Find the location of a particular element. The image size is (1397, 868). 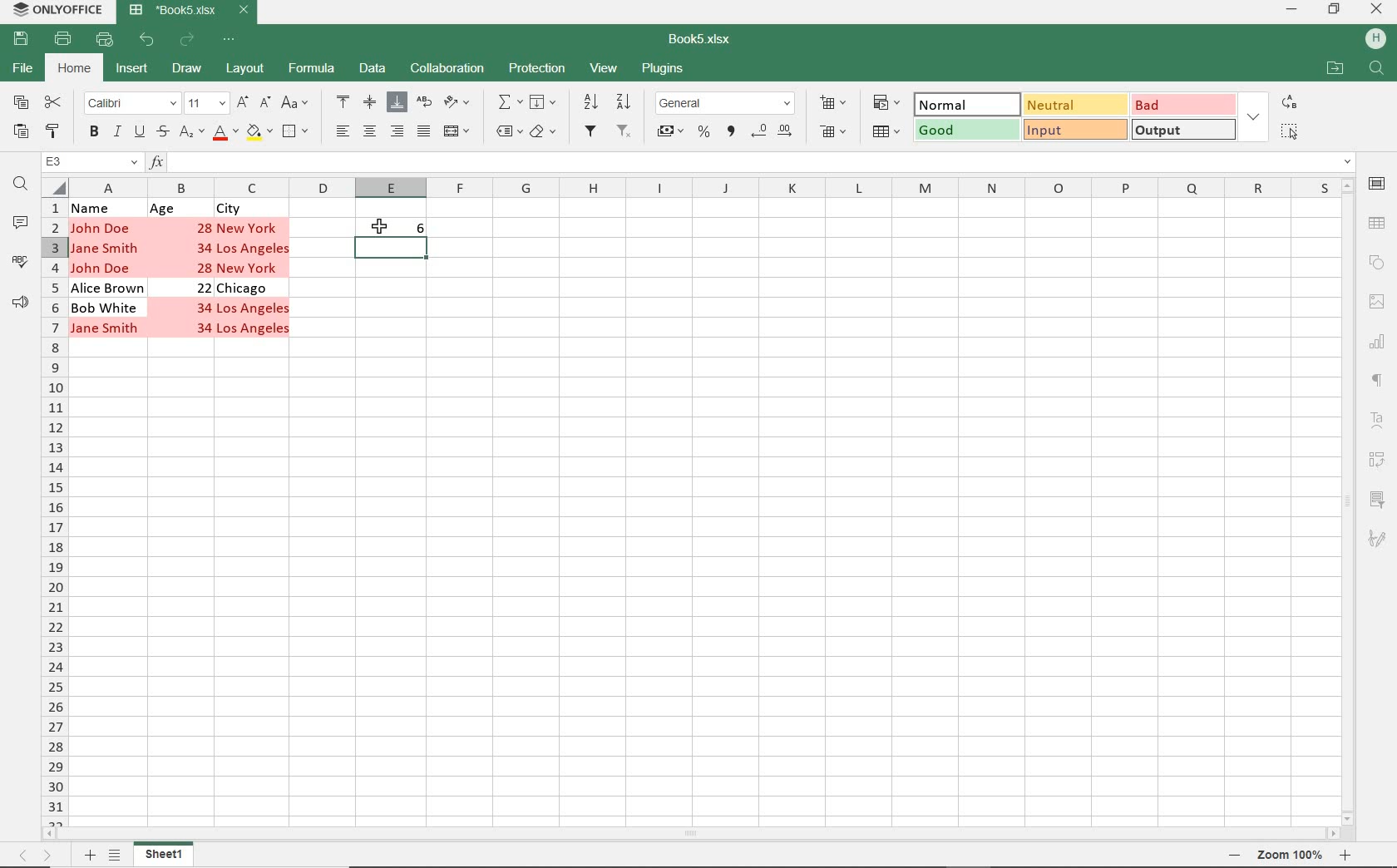

CLEAR is located at coordinates (548, 133).